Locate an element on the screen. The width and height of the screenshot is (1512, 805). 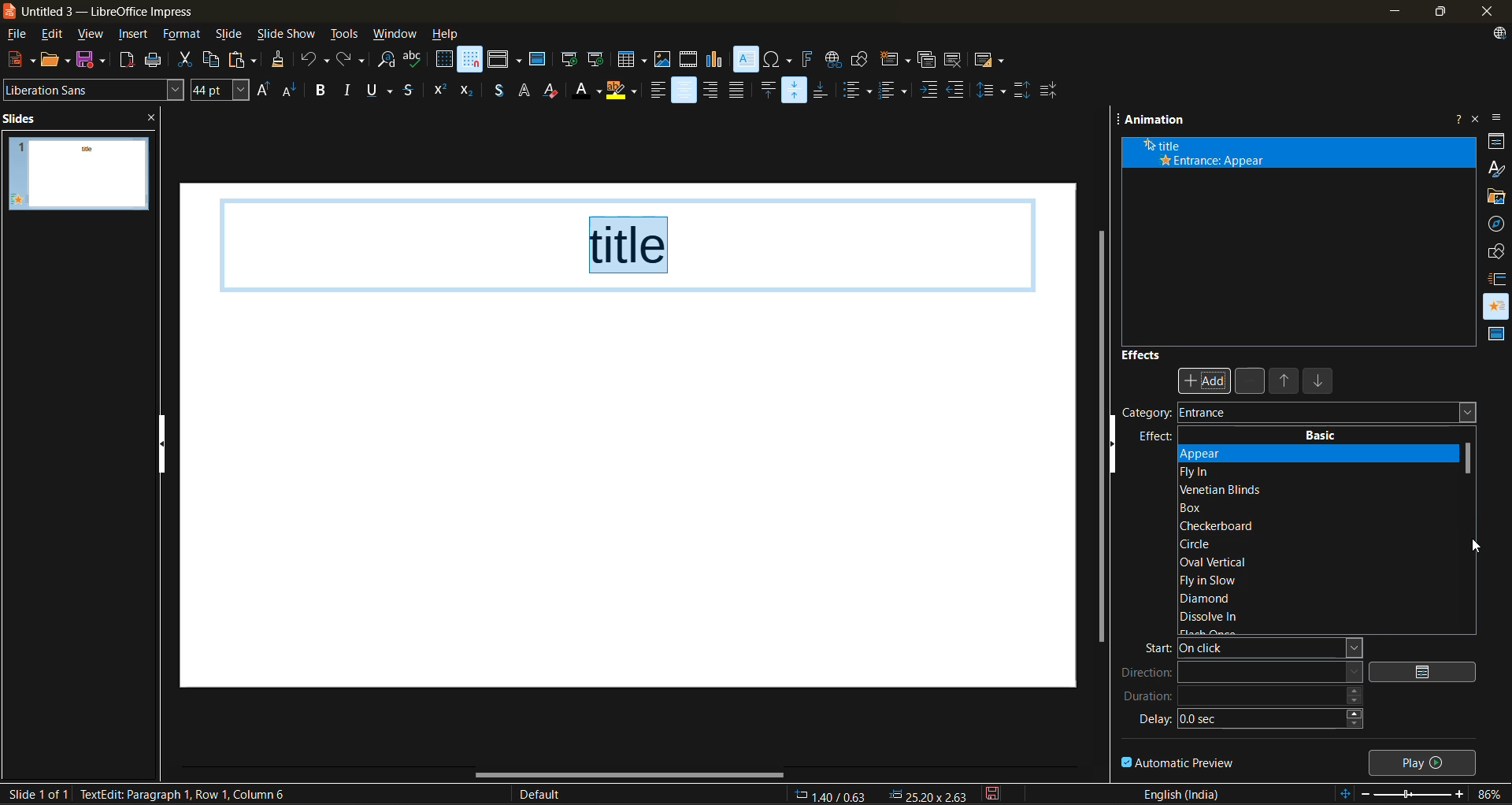
direction is located at coordinates (1241, 675).